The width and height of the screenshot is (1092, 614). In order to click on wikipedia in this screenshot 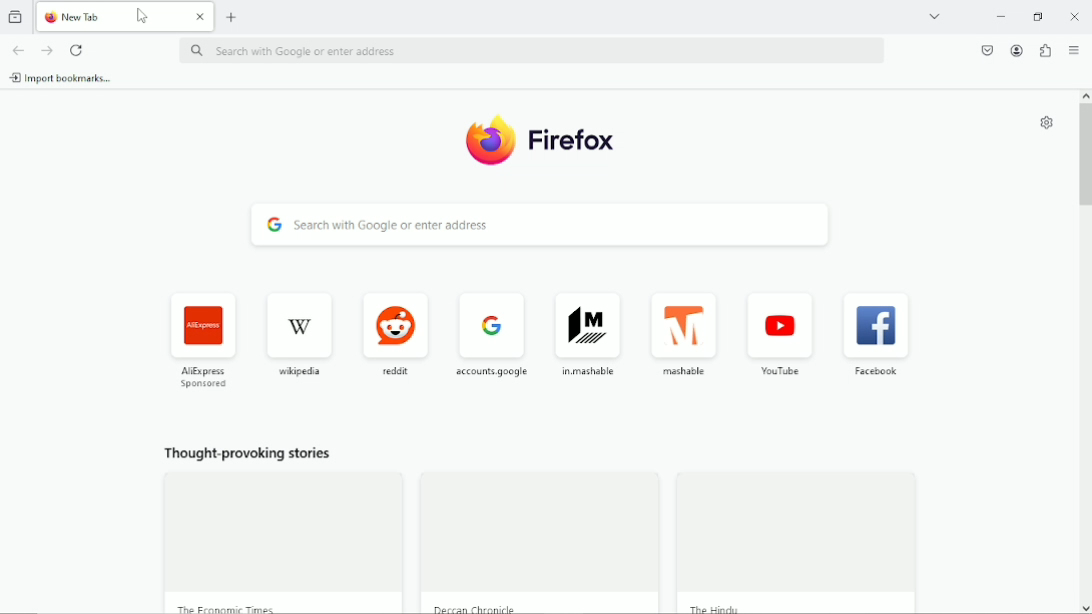, I will do `click(298, 333)`.